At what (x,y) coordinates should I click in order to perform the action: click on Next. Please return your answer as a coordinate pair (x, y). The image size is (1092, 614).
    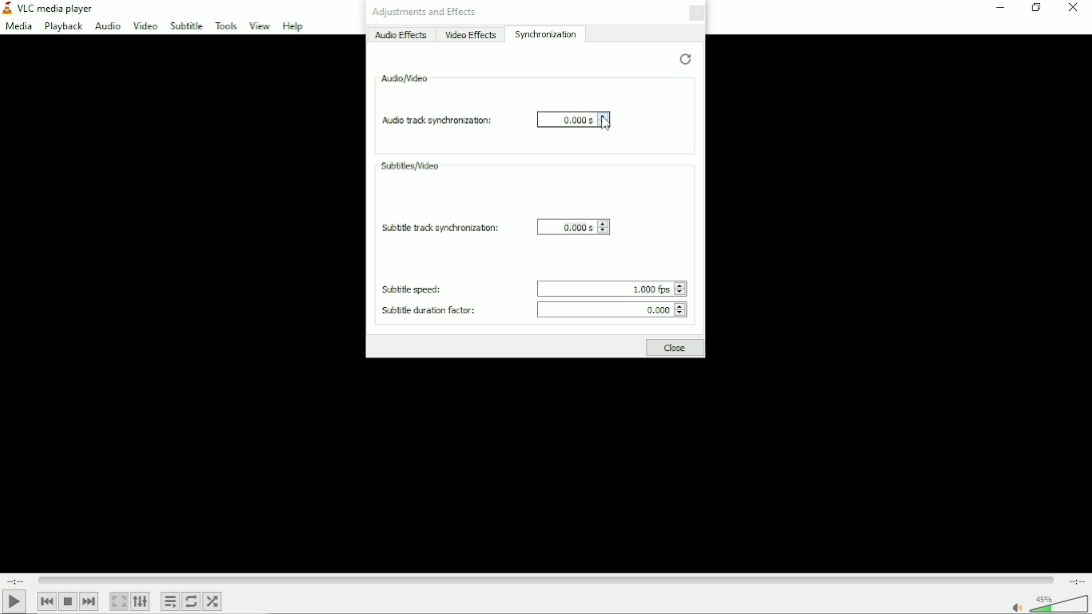
    Looking at the image, I should click on (90, 601).